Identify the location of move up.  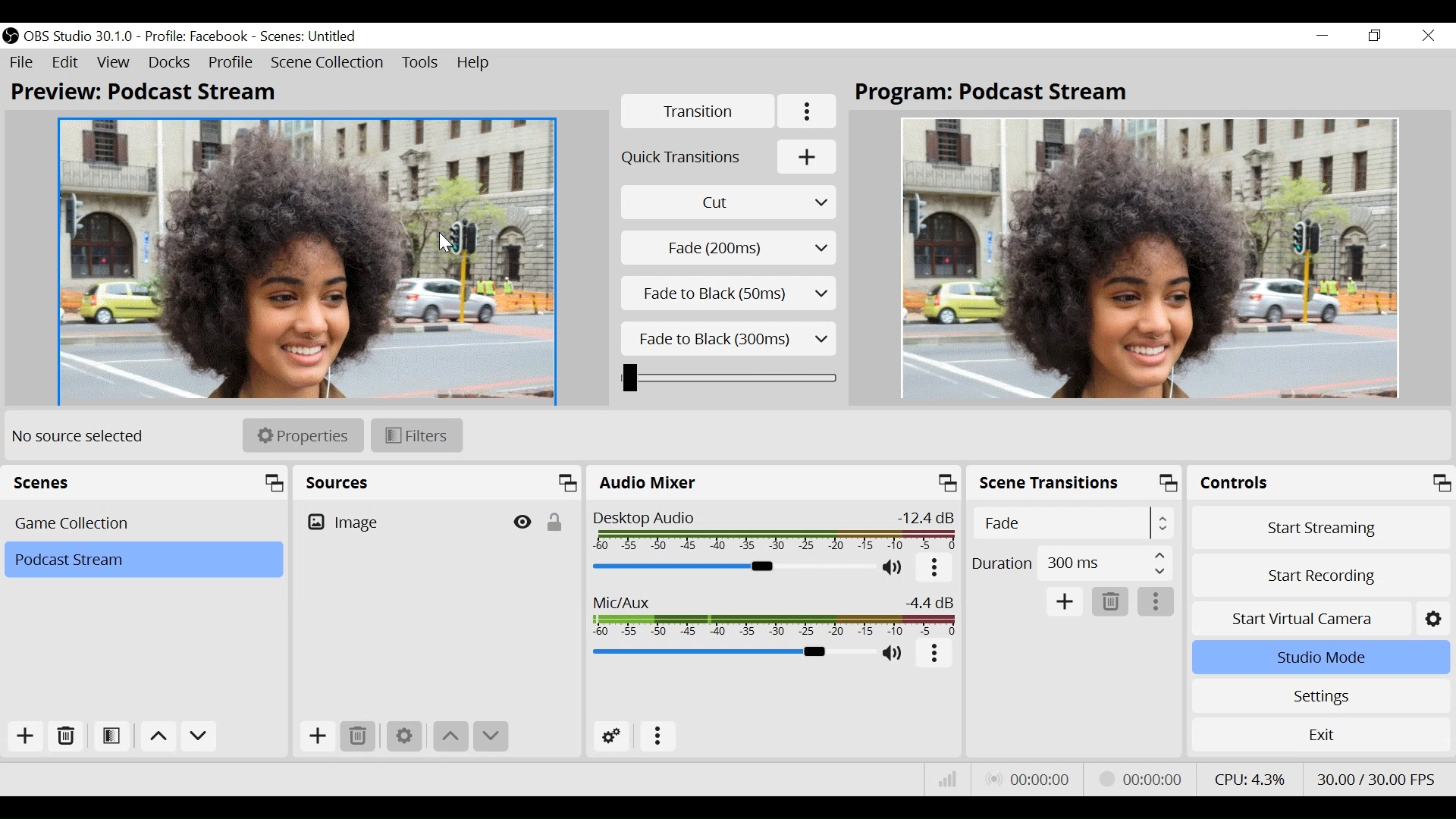
(452, 736).